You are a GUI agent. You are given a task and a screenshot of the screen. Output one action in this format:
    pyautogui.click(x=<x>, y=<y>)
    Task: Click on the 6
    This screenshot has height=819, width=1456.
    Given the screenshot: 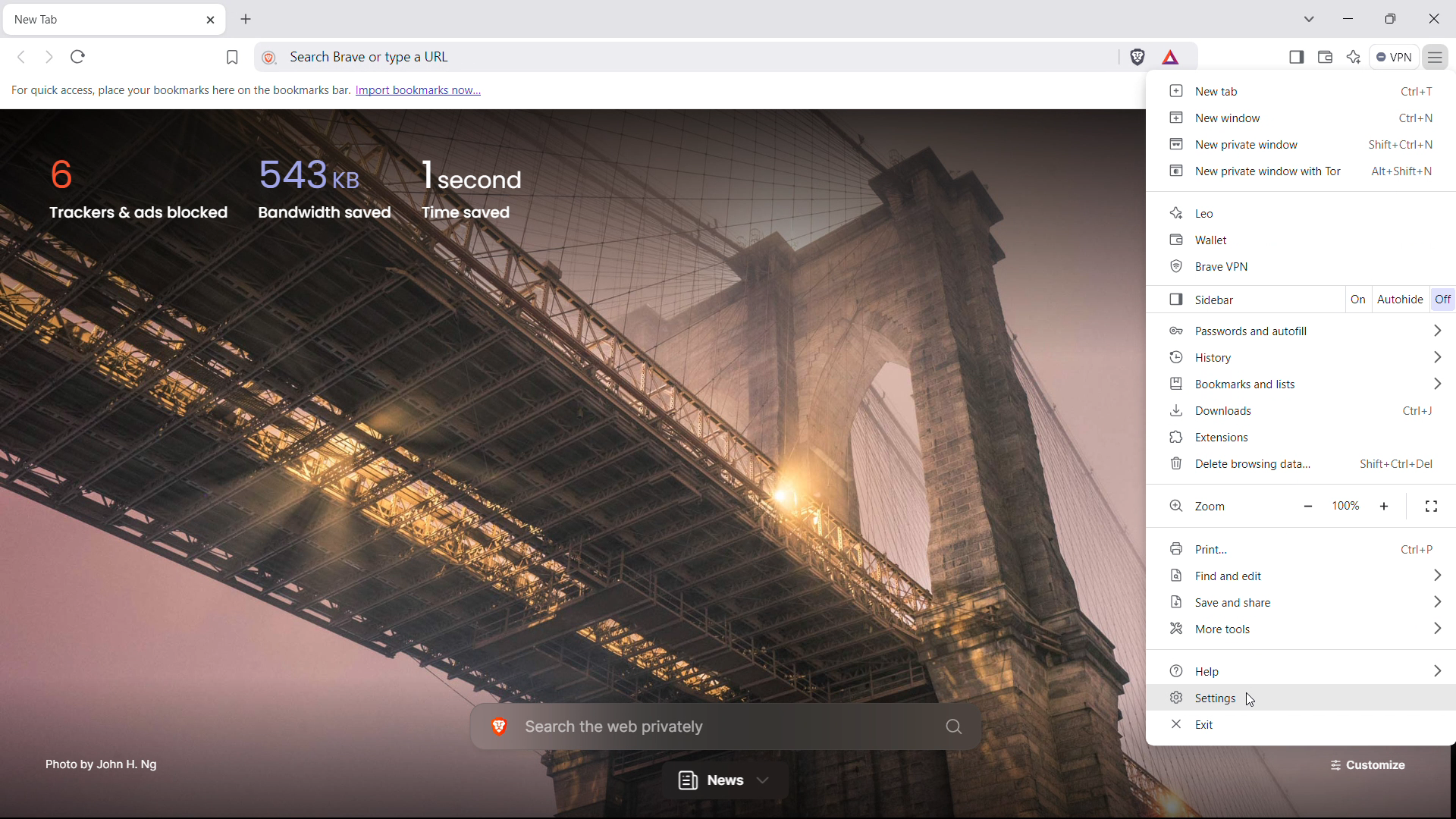 What is the action you would take?
    pyautogui.click(x=63, y=171)
    